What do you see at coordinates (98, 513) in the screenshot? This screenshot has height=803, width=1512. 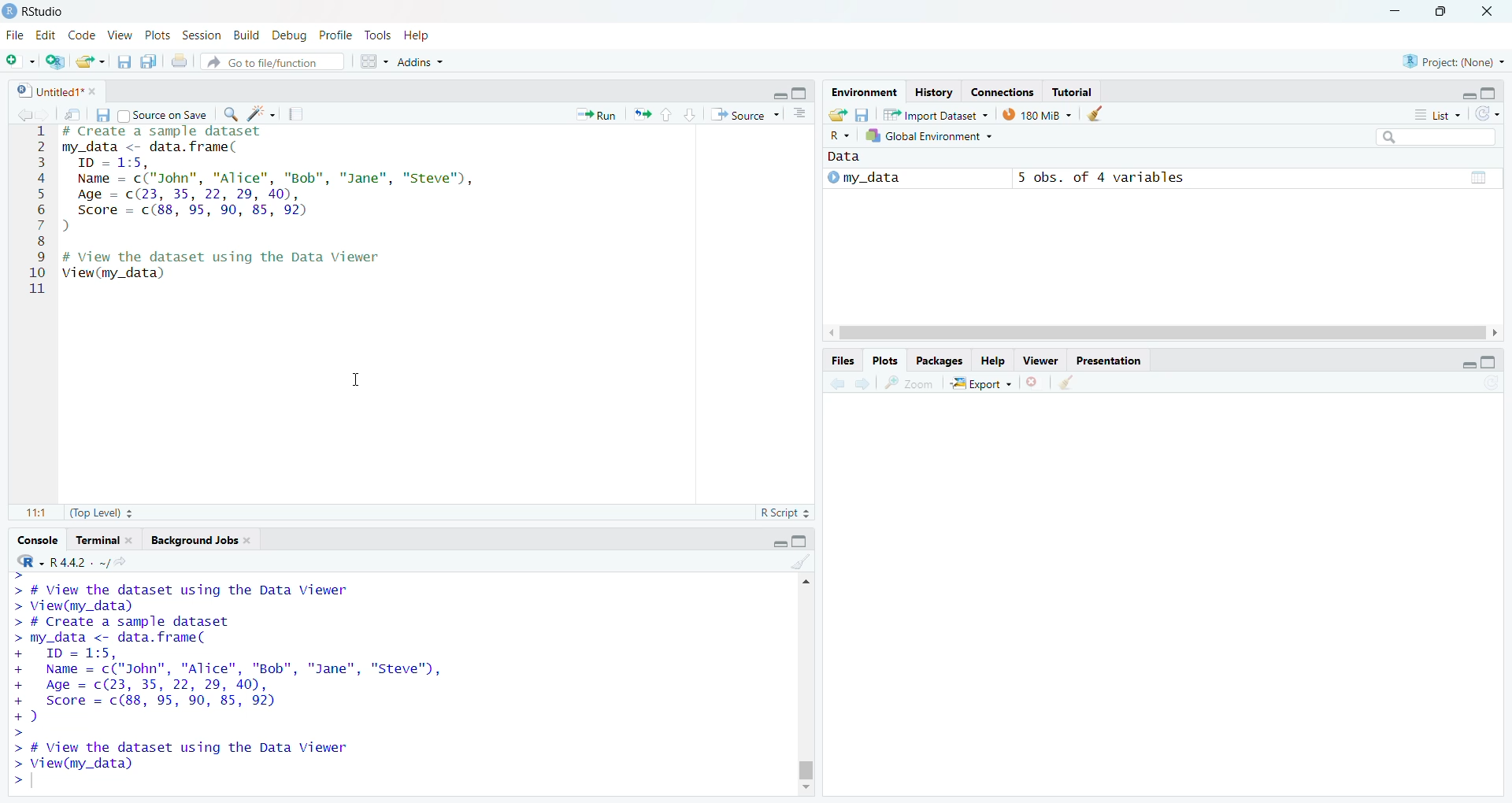 I see `Top Level` at bounding box center [98, 513].